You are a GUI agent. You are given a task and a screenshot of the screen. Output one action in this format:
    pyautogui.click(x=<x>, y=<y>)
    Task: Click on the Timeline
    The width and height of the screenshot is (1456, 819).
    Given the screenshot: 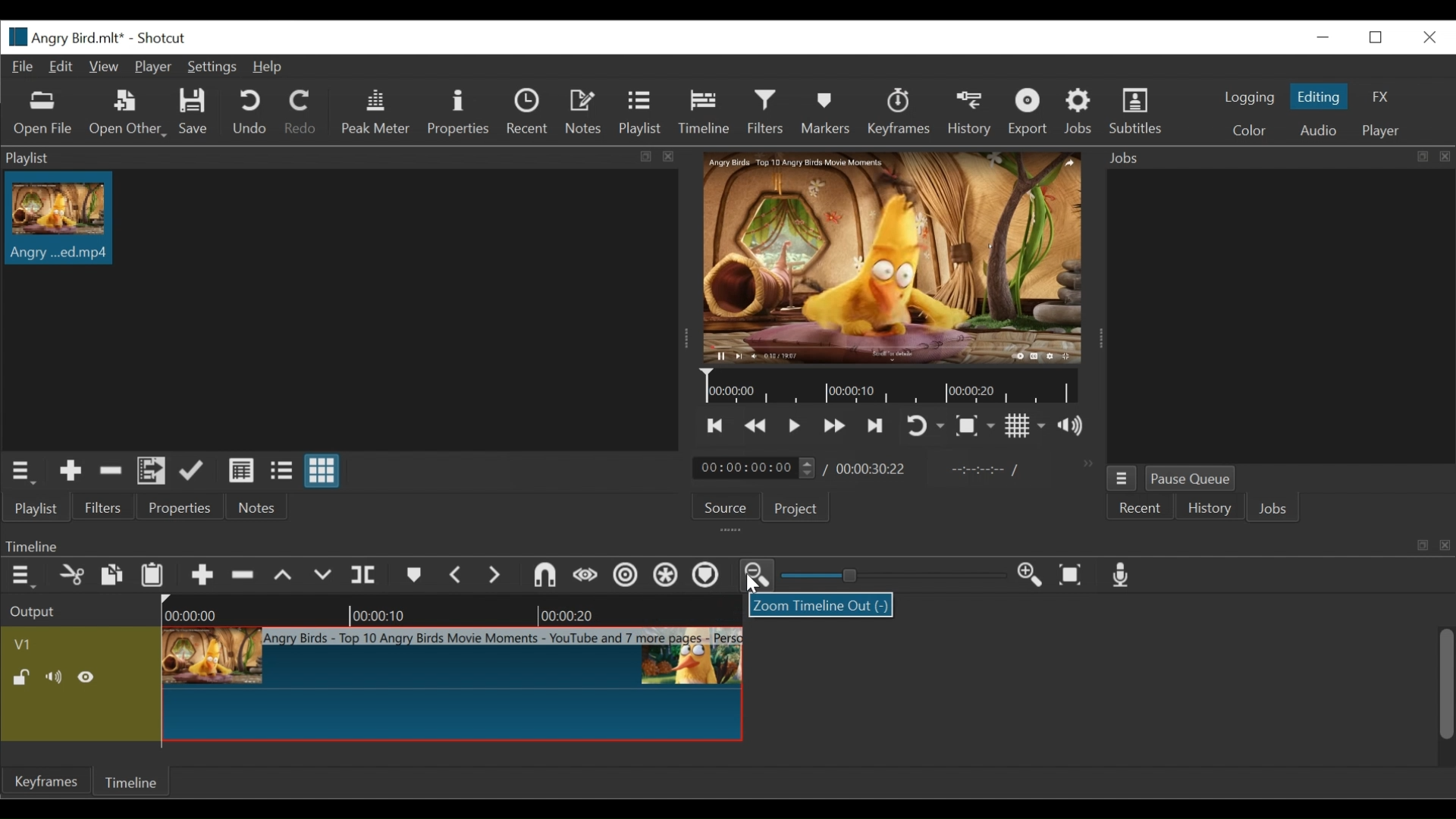 What is the action you would take?
    pyautogui.click(x=704, y=111)
    